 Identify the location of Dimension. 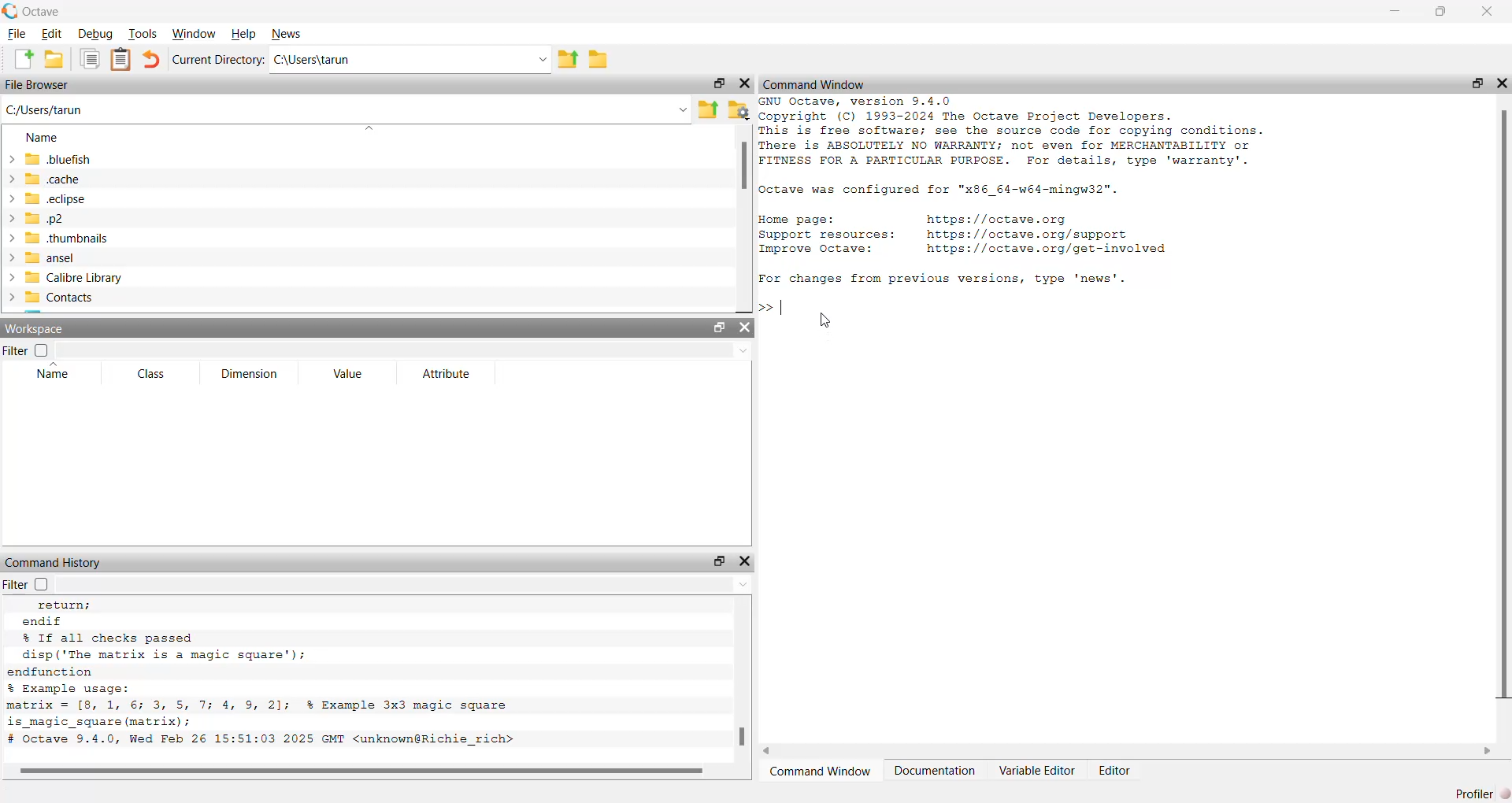
(251, 374).